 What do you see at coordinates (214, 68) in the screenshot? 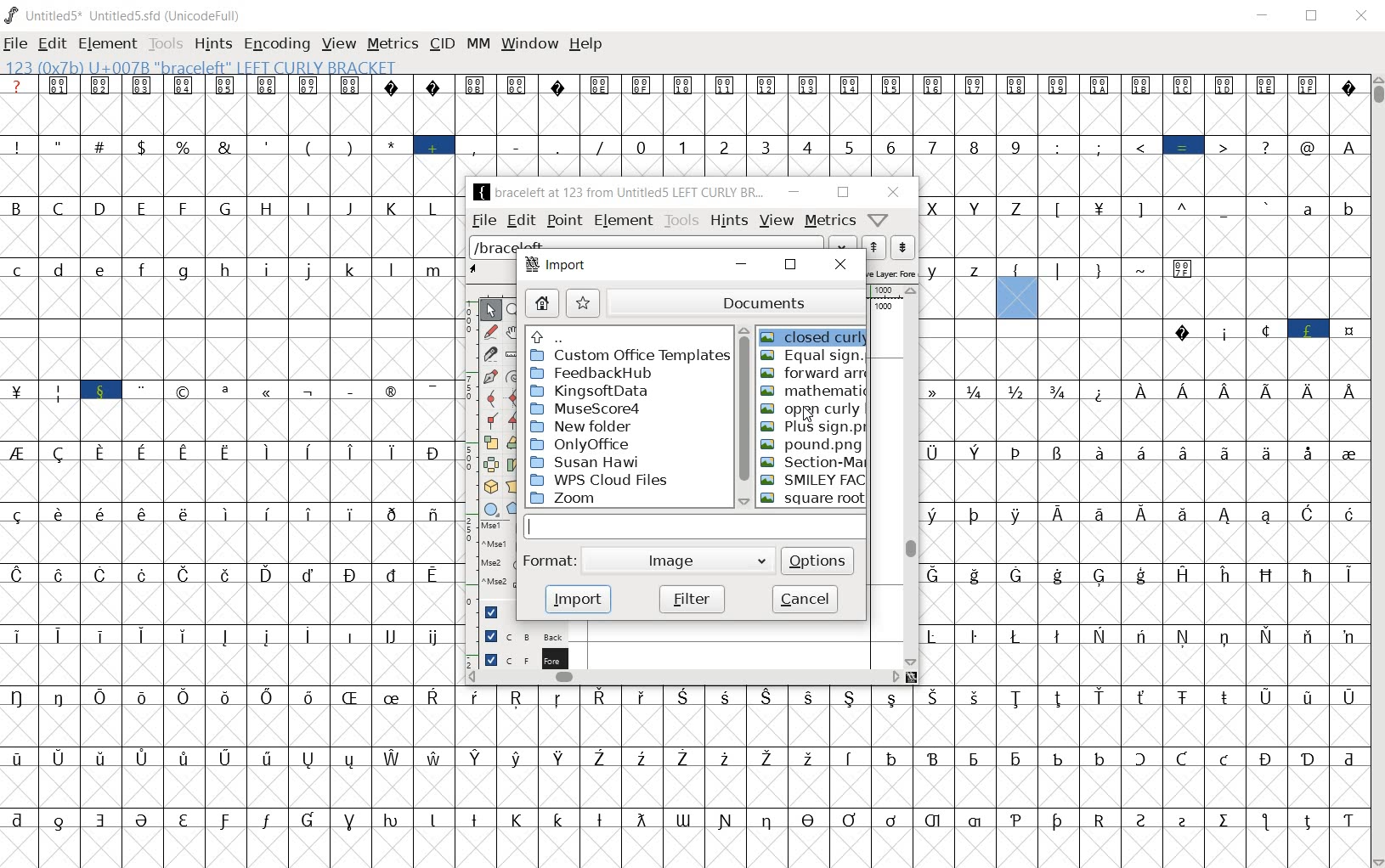
I see `123 (0x7b) U+007B "braceleft" LEFT CURLY BRACKET` at bounding box center [214, 68].